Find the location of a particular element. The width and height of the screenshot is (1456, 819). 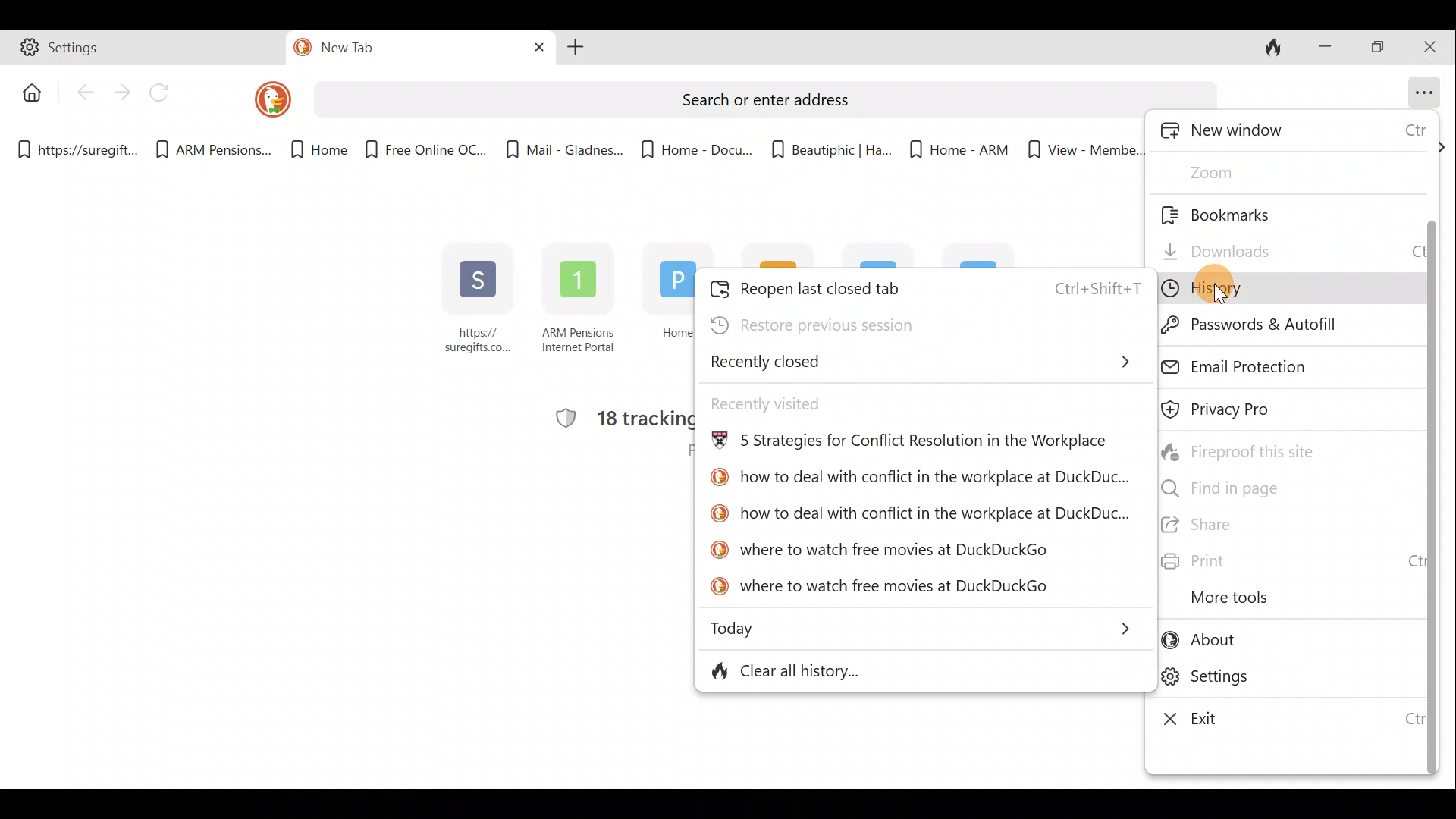

Restore previous session is located at coordinates (862, 323).